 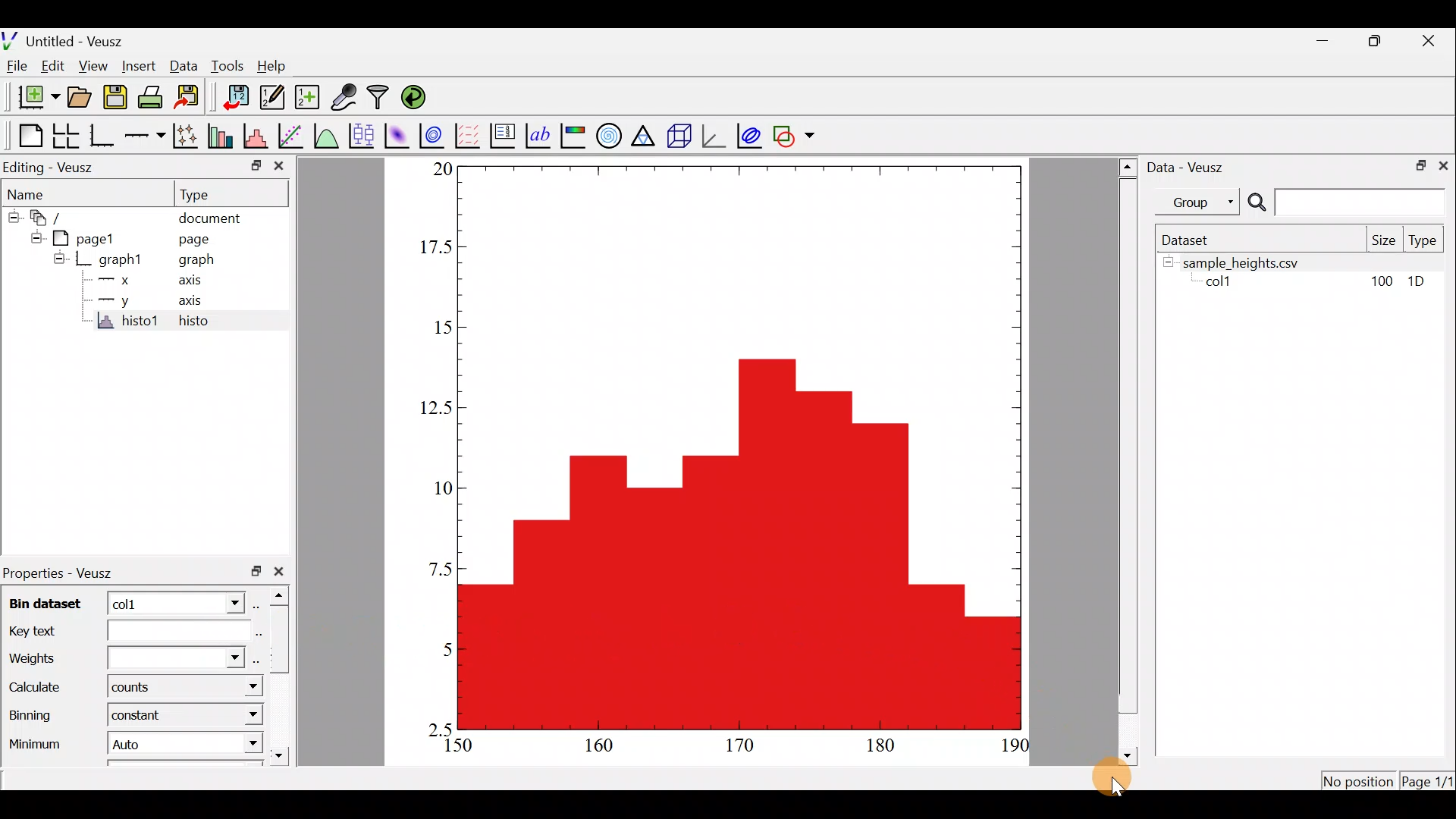 I want to click on edit and enter new datasets, so click(x=272, y=97).